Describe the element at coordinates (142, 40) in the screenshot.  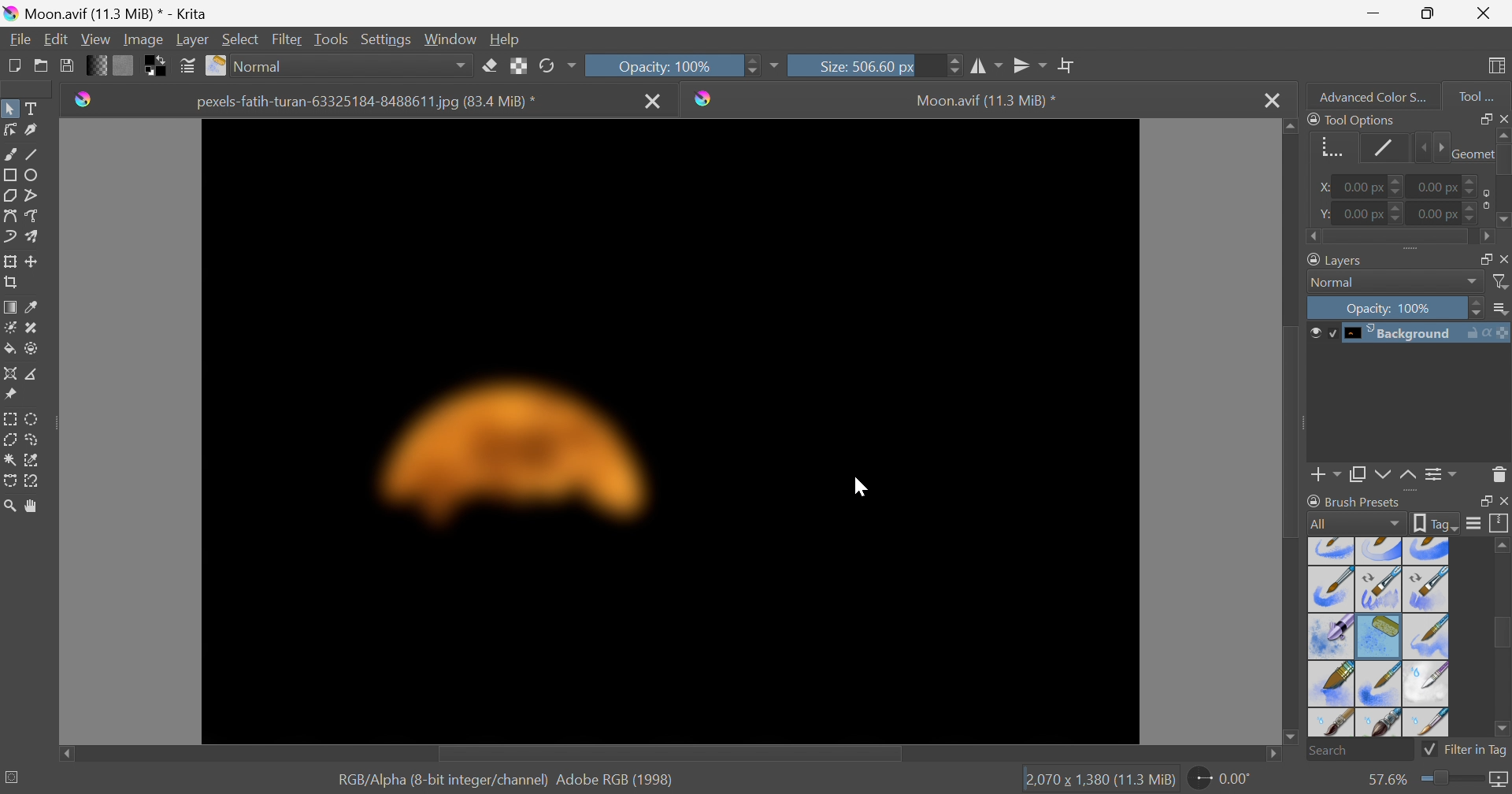
I see `Image` at that location.